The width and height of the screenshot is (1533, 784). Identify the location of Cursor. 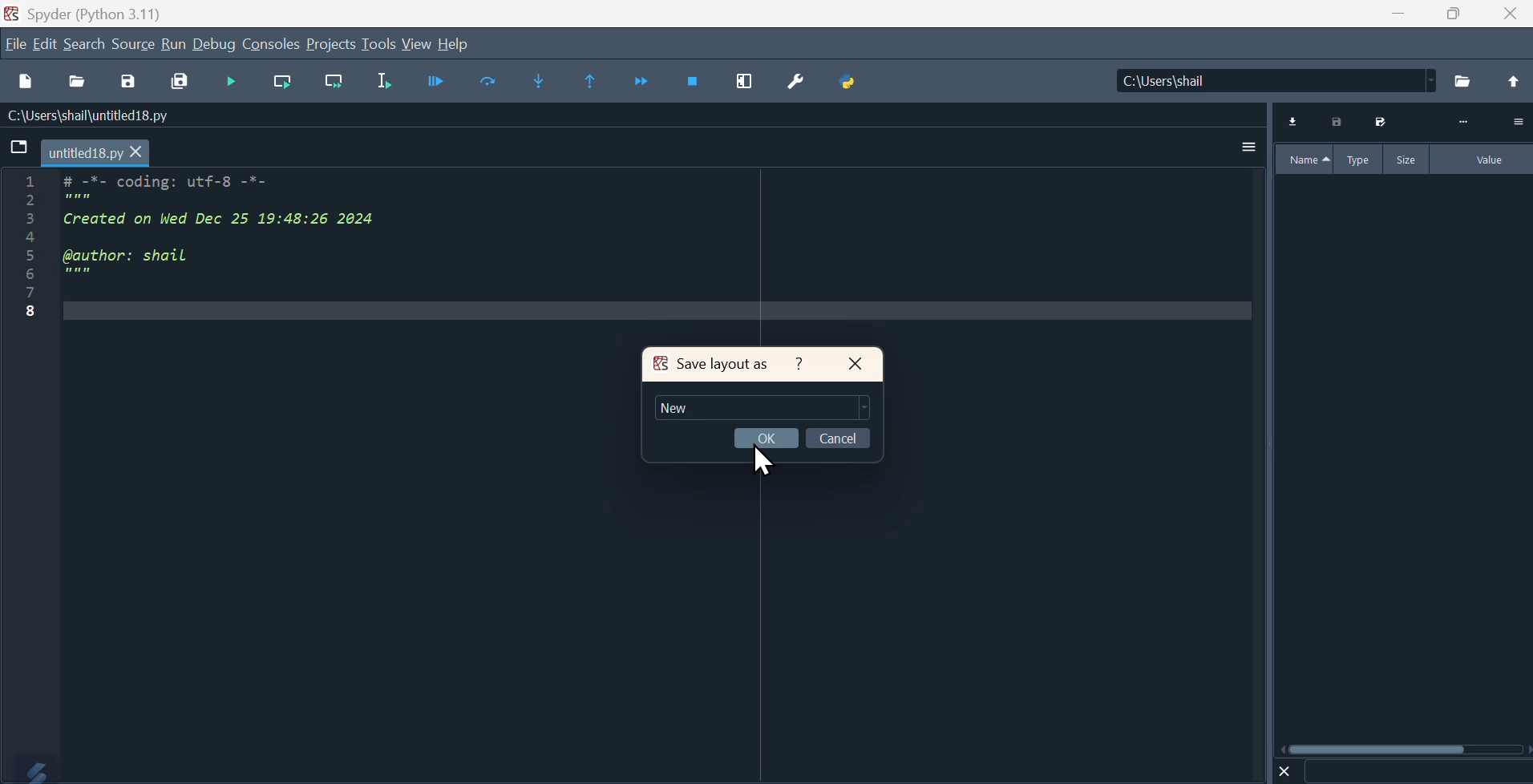
(762, 459).